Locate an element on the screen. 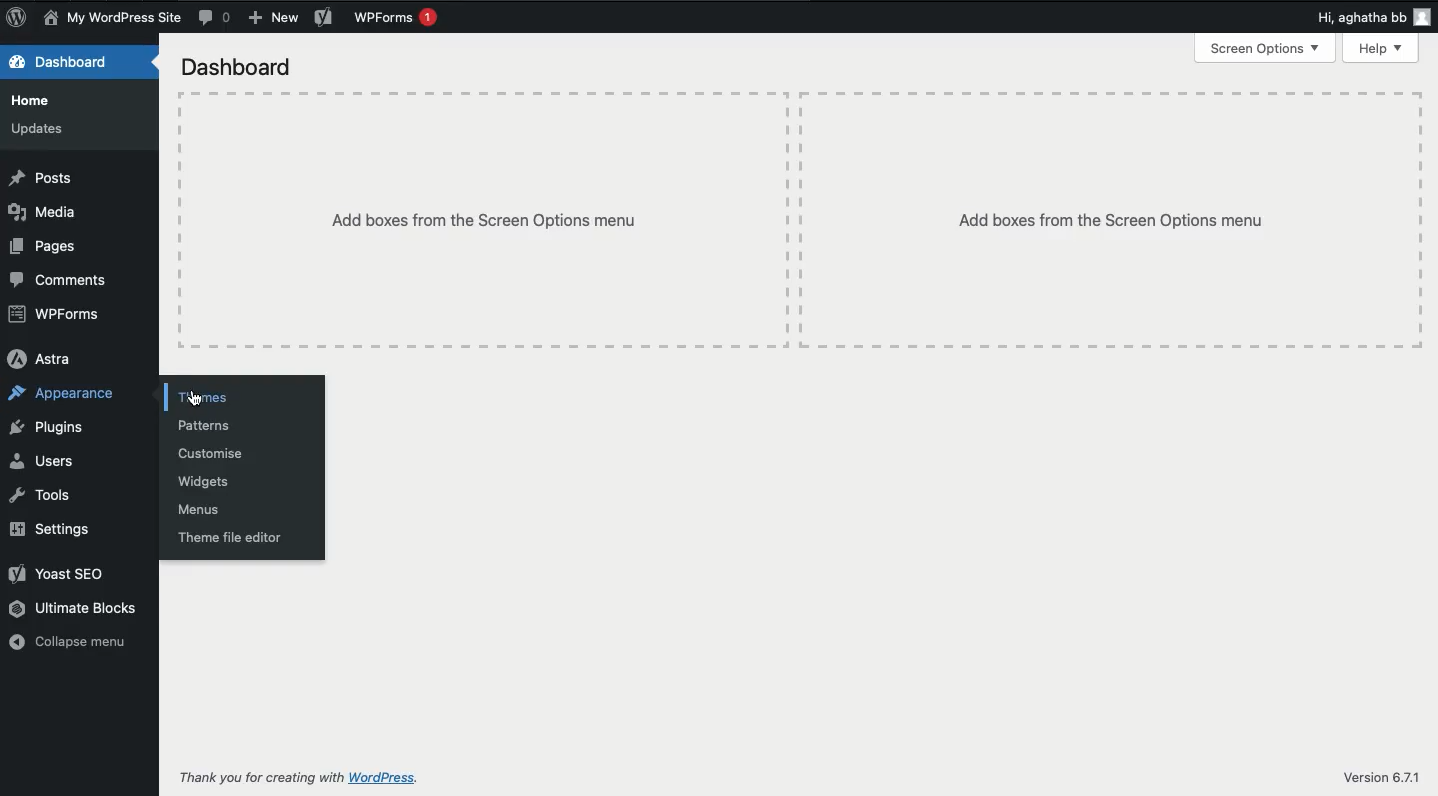 The height and width of the screenshot is (796, 1438). Add boxes from the screen options menu is located at coordinates (1112, 222).